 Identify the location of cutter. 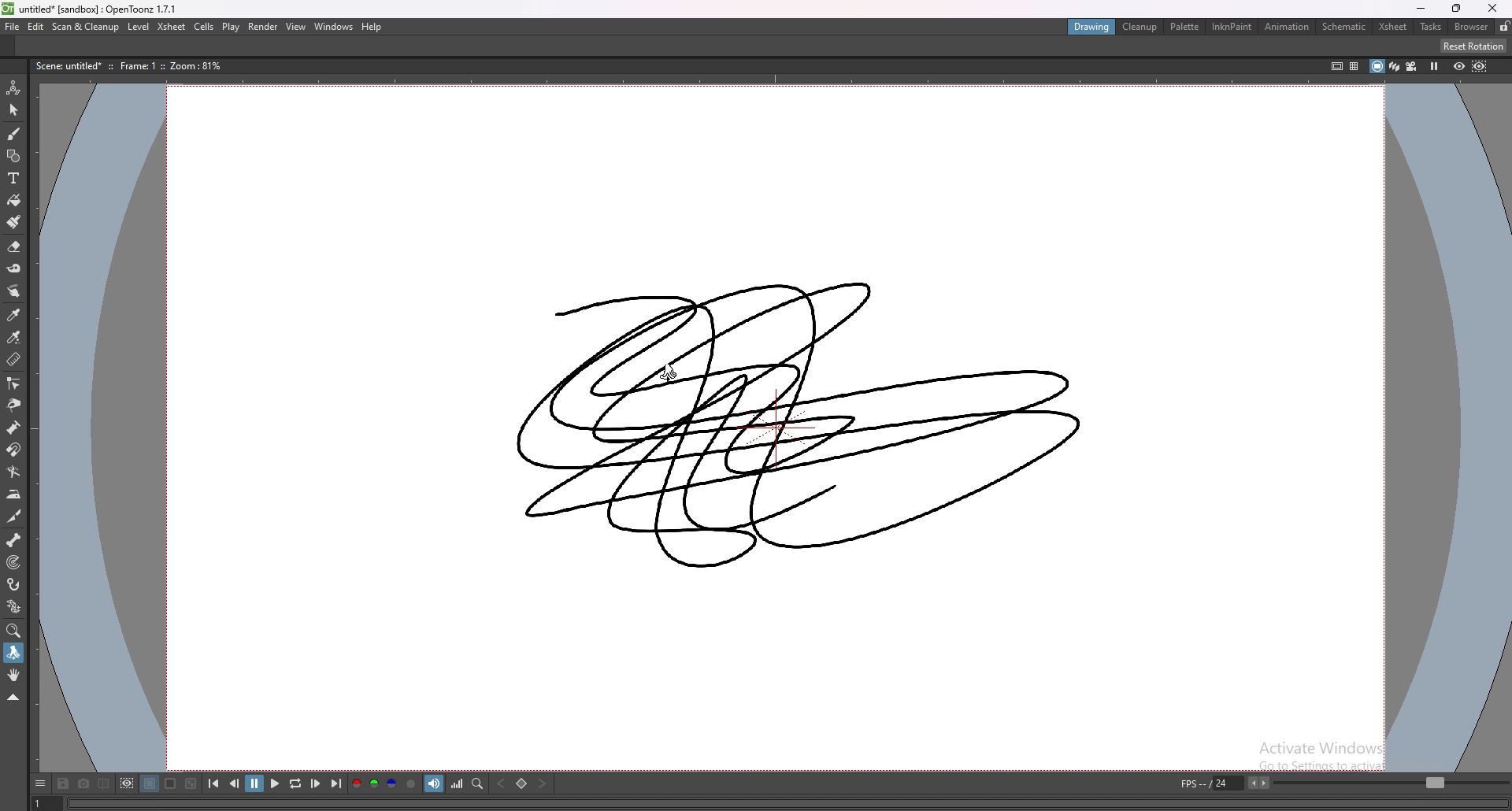
(13, 517).